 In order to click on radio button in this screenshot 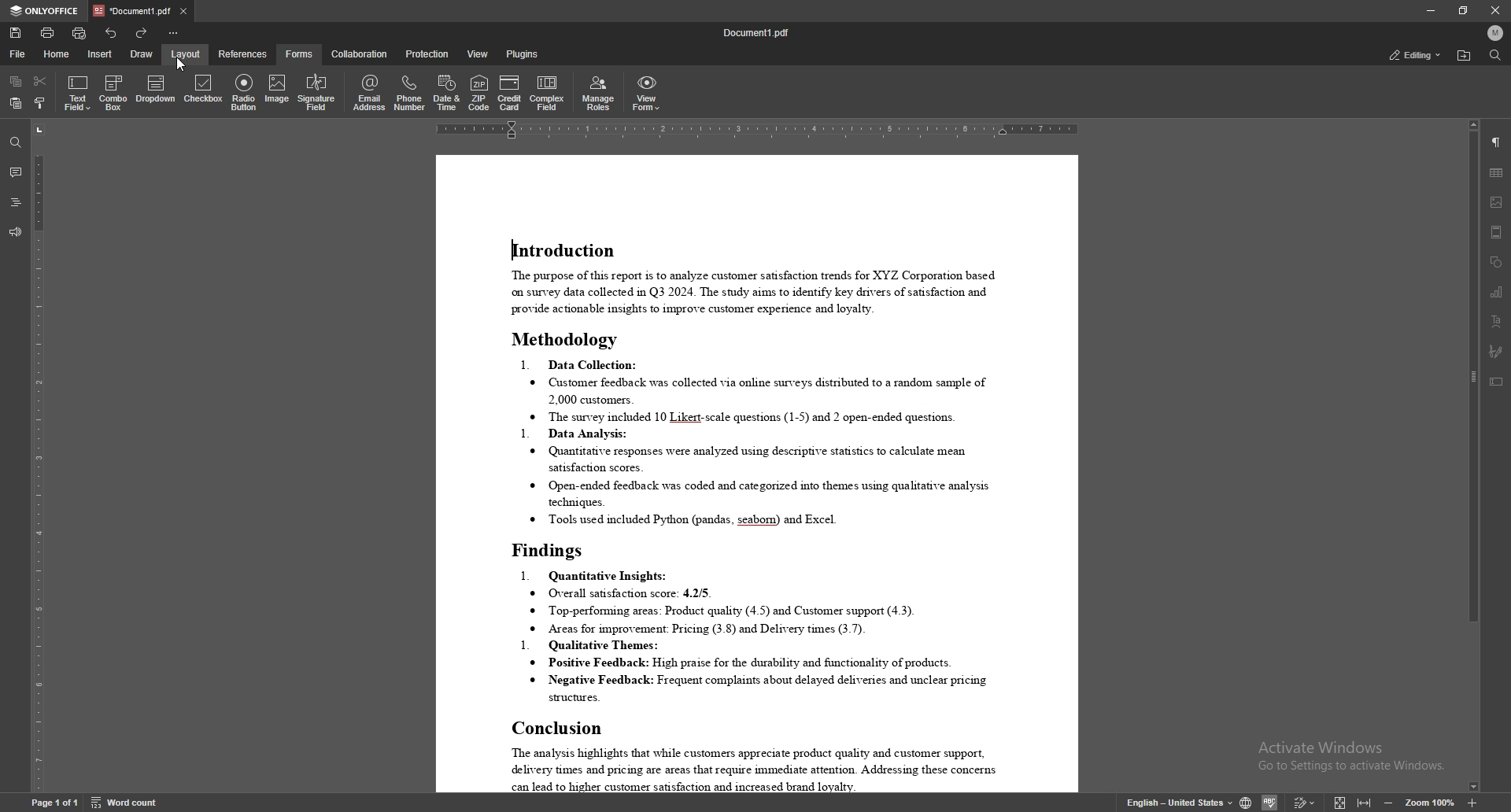, I will do `click(245, 94)`.